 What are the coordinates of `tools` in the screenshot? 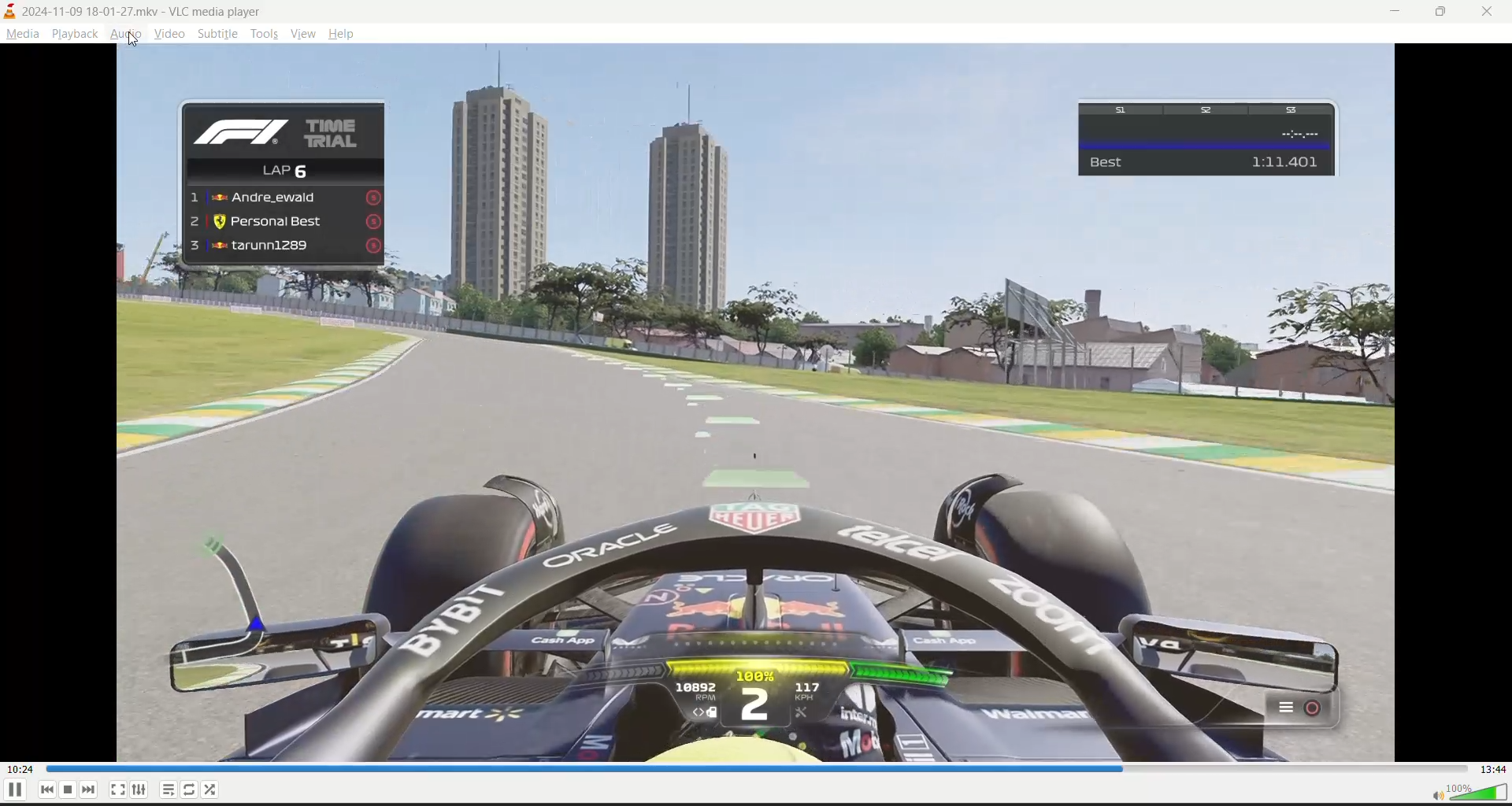 It's located at (263, 33).